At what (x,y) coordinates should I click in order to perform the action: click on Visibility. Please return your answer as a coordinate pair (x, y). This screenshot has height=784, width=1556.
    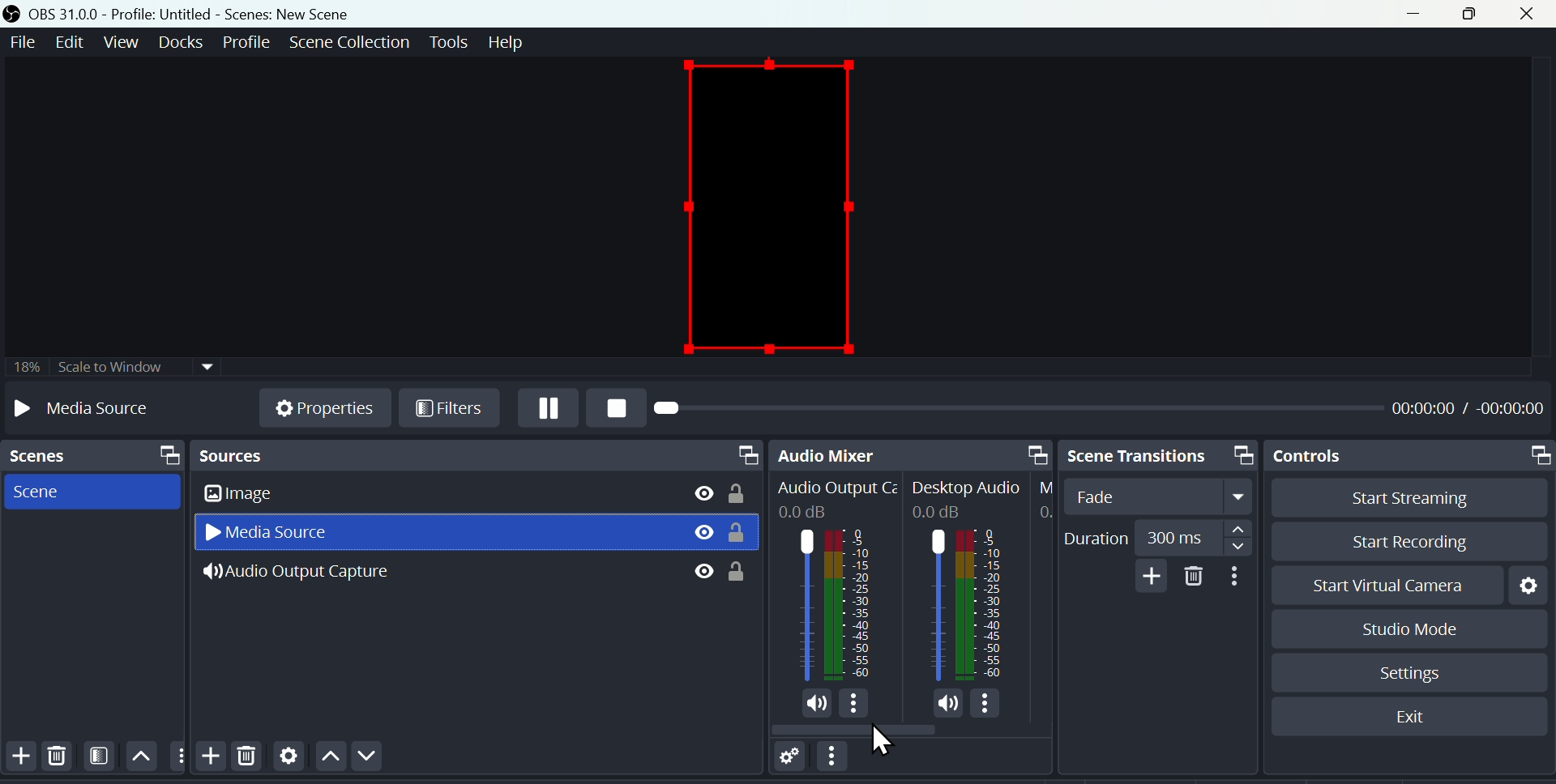
    Looking at the image, I should click on (703, 534).